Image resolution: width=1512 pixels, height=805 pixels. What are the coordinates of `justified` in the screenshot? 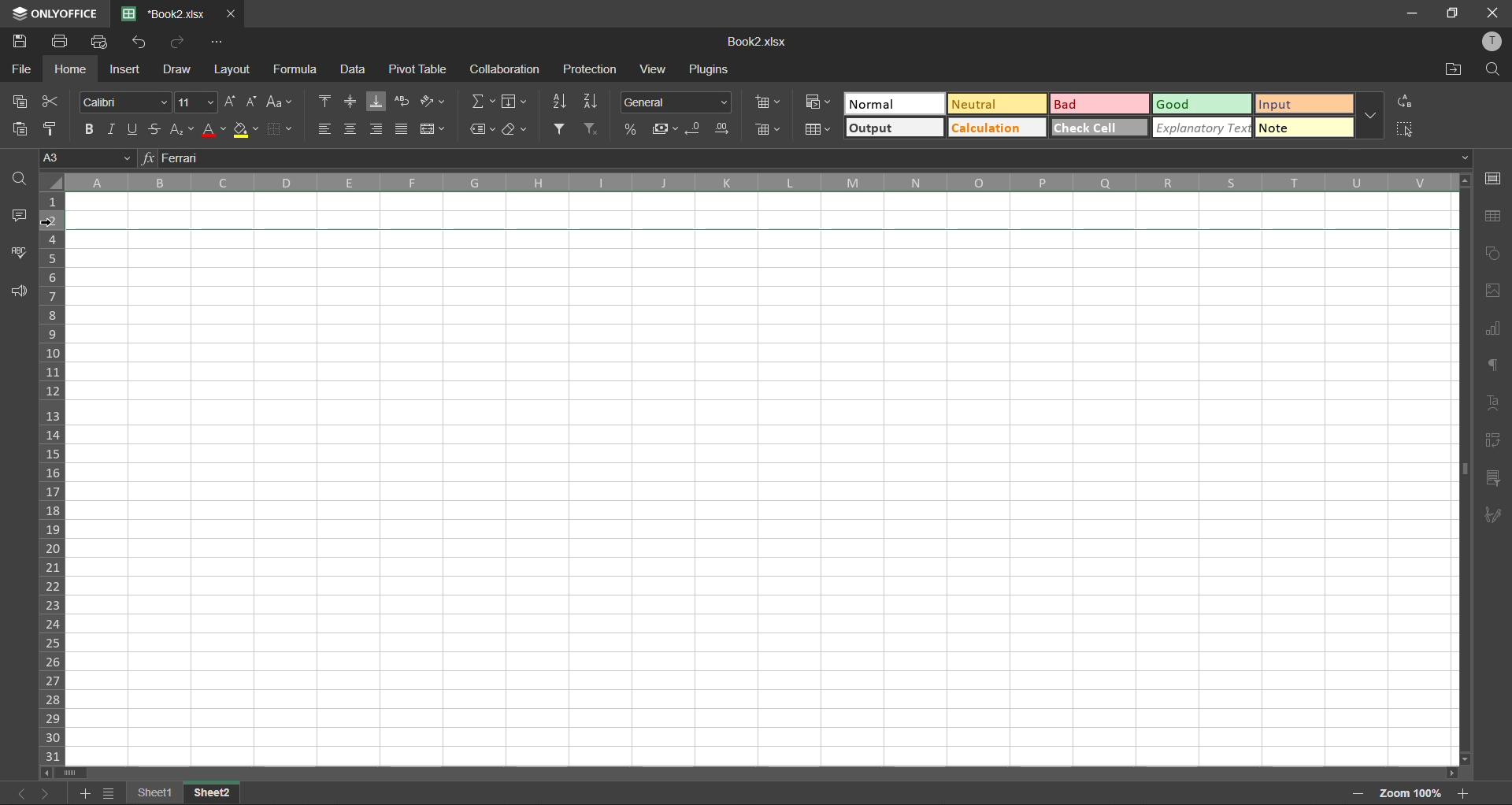 It's located at (402, 128).